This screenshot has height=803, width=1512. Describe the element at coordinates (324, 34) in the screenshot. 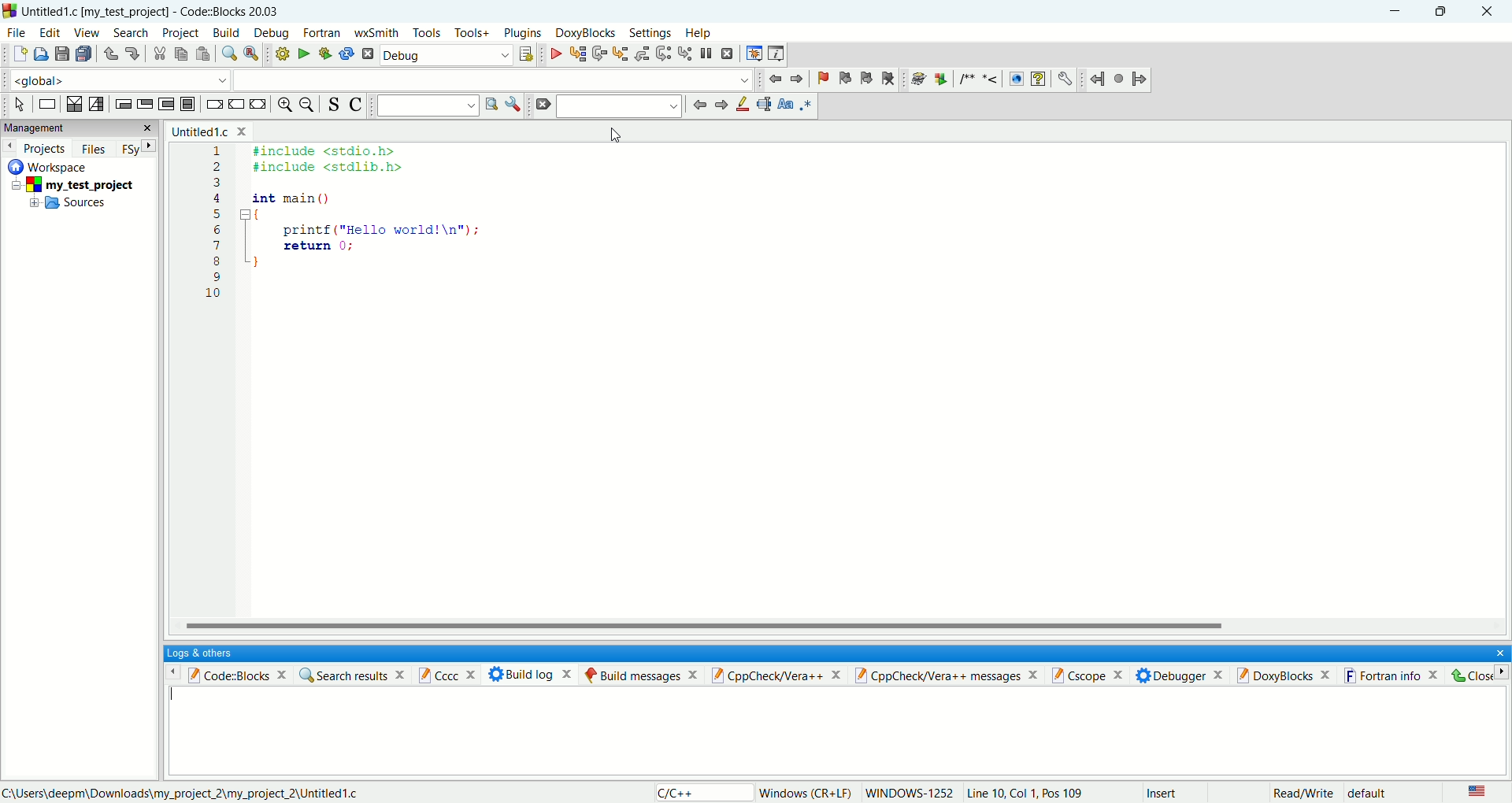

I see `fortan` at that location.